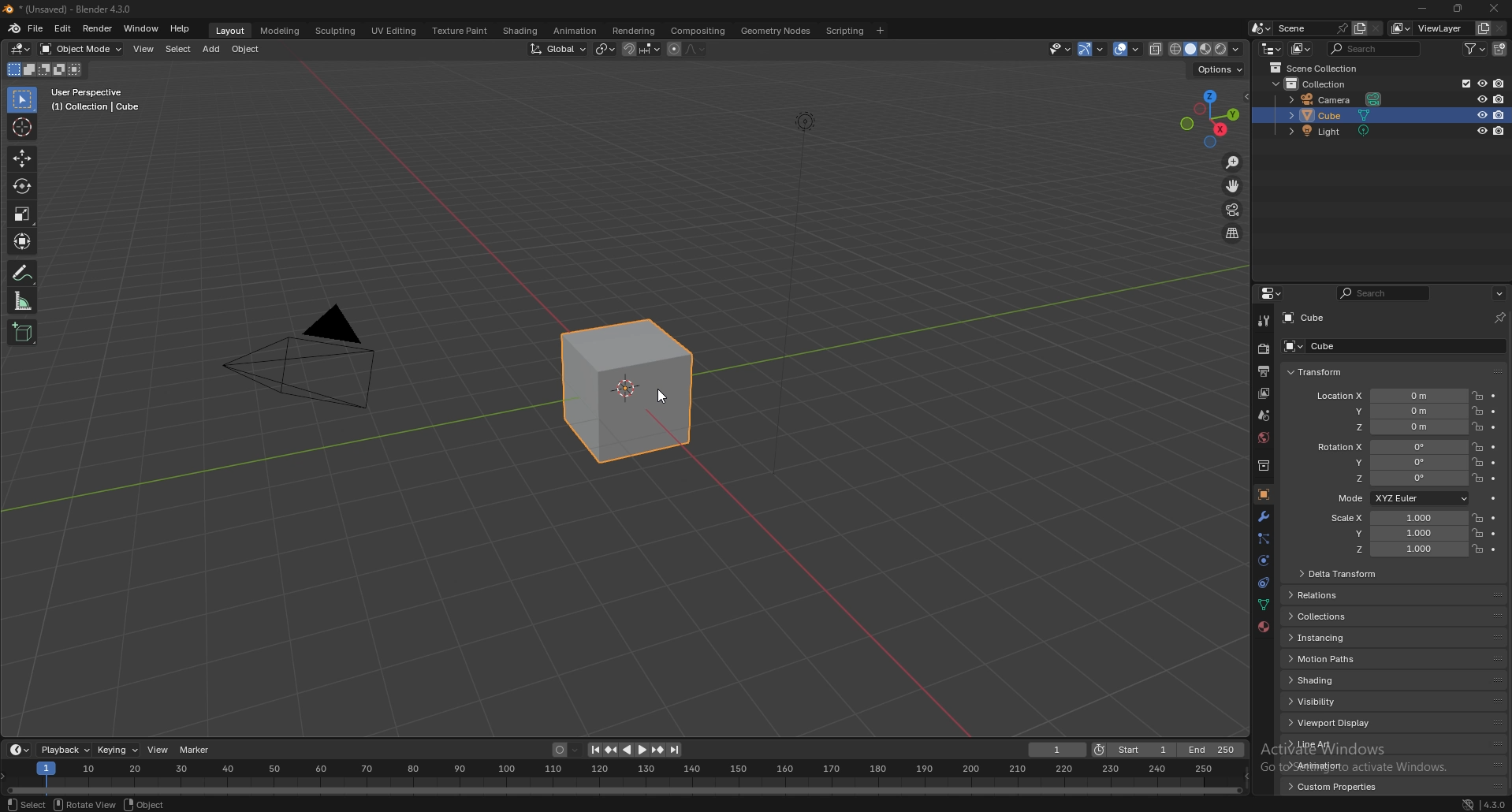 This screenshot has width=1512, height=812. I want to click on network, so click(1468, 804).